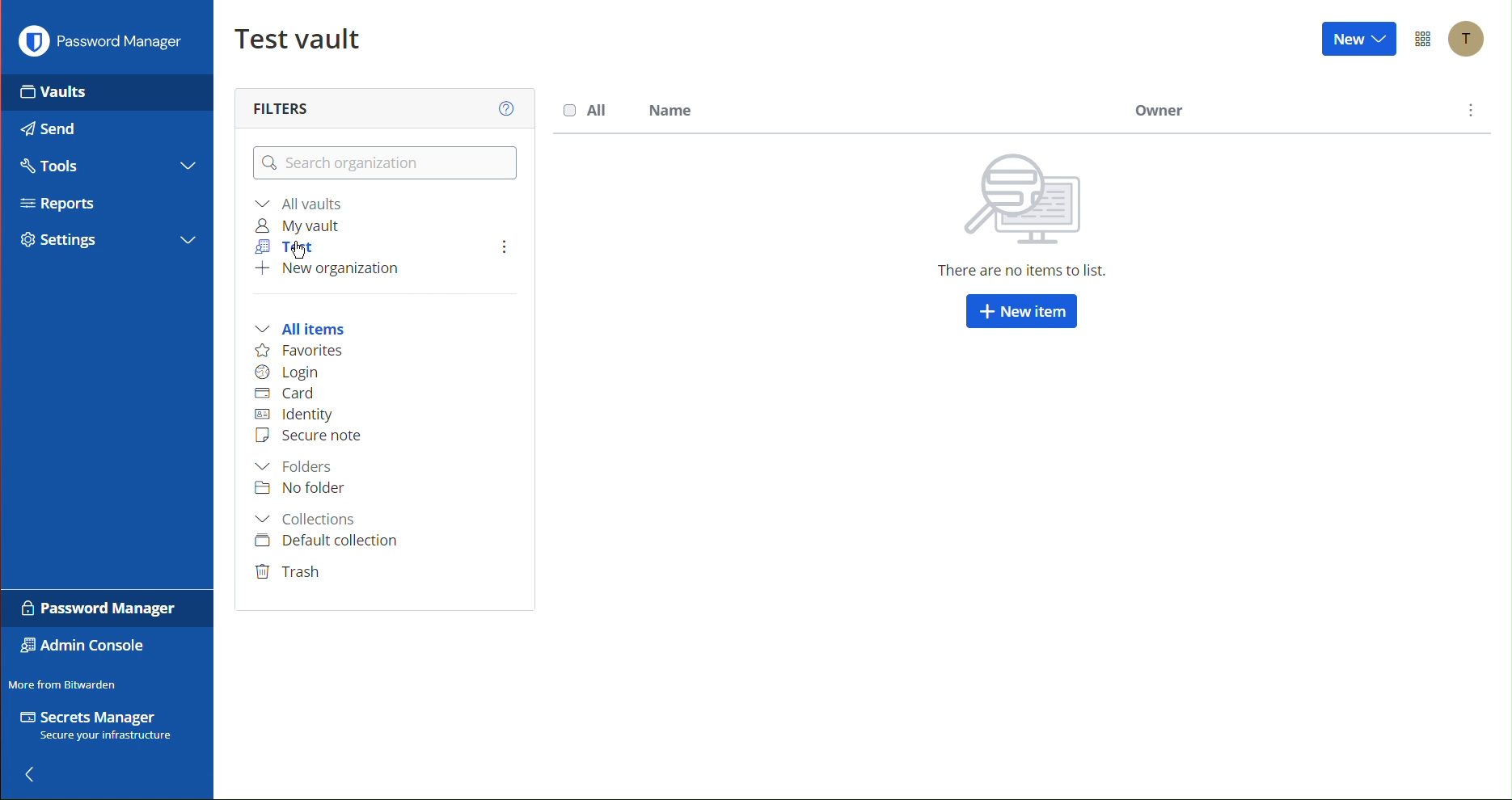 The width and height of the screenshot is (1512, 800). Describe the element at coordinates (588, 110) in the screenshot. I see `All` at that location.